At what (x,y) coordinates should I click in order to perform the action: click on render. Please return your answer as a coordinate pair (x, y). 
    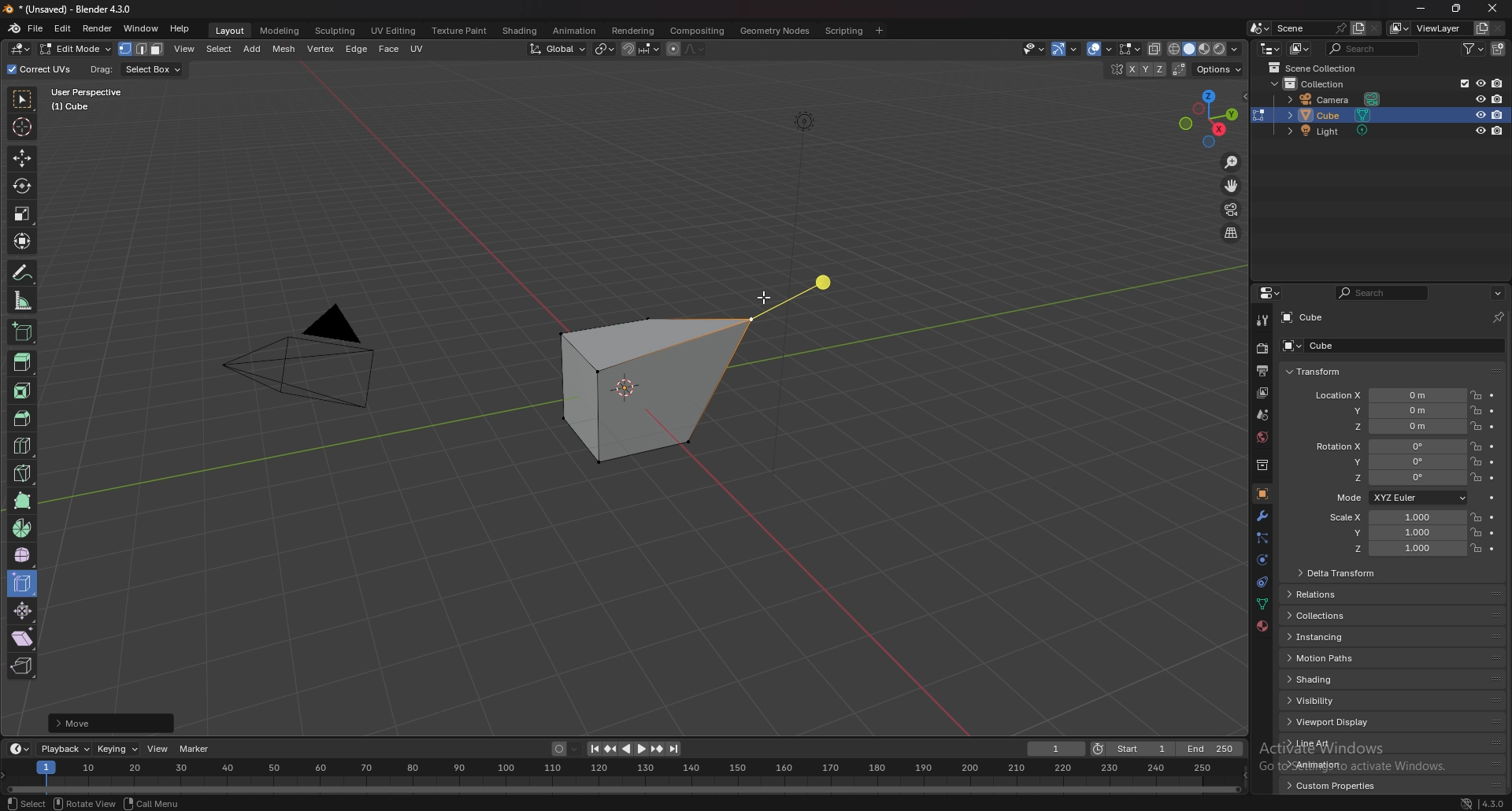
    Looking at the image, I should click on (98, 28).